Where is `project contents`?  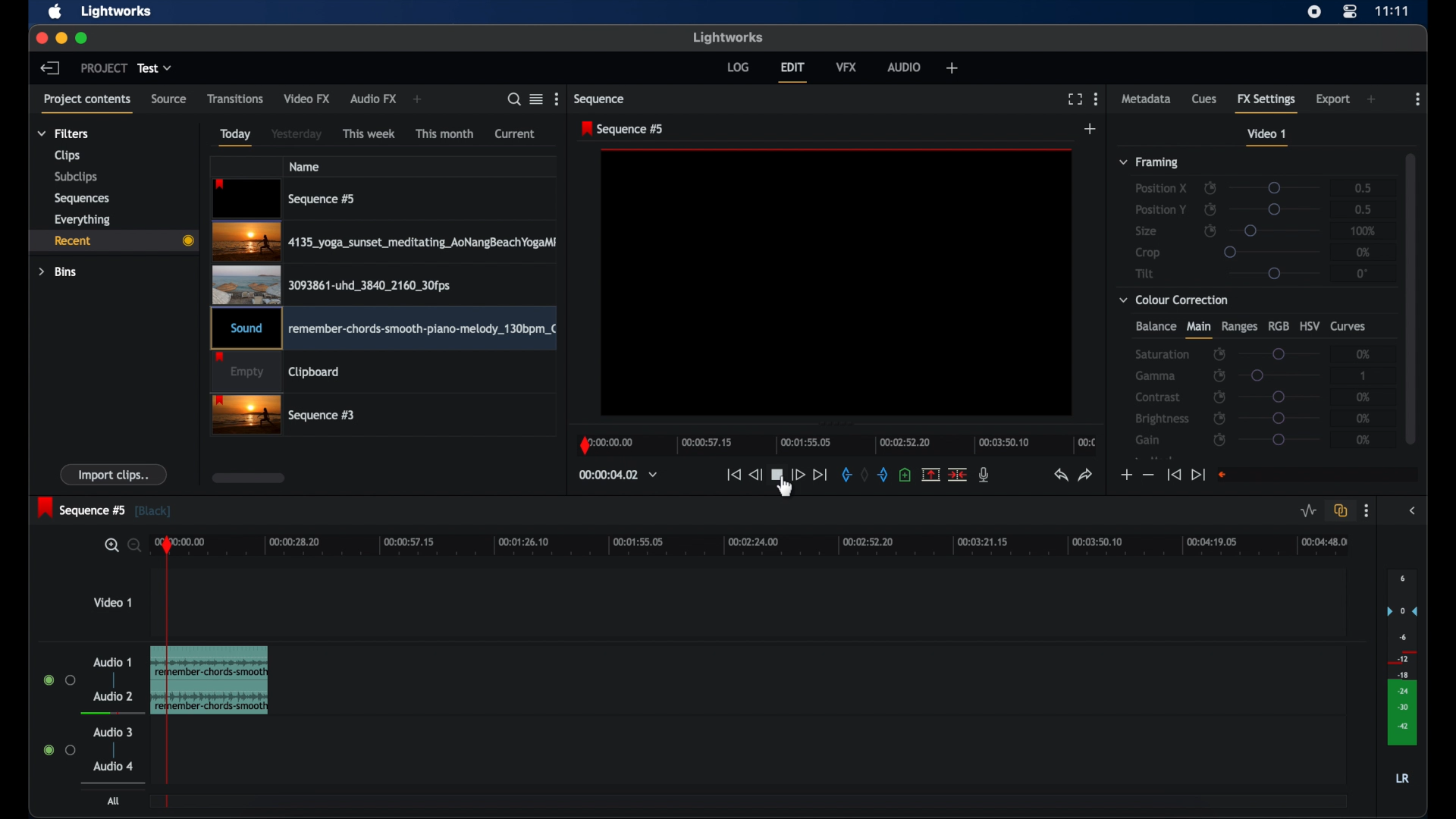 project contents is located at coordinates (88, 105).